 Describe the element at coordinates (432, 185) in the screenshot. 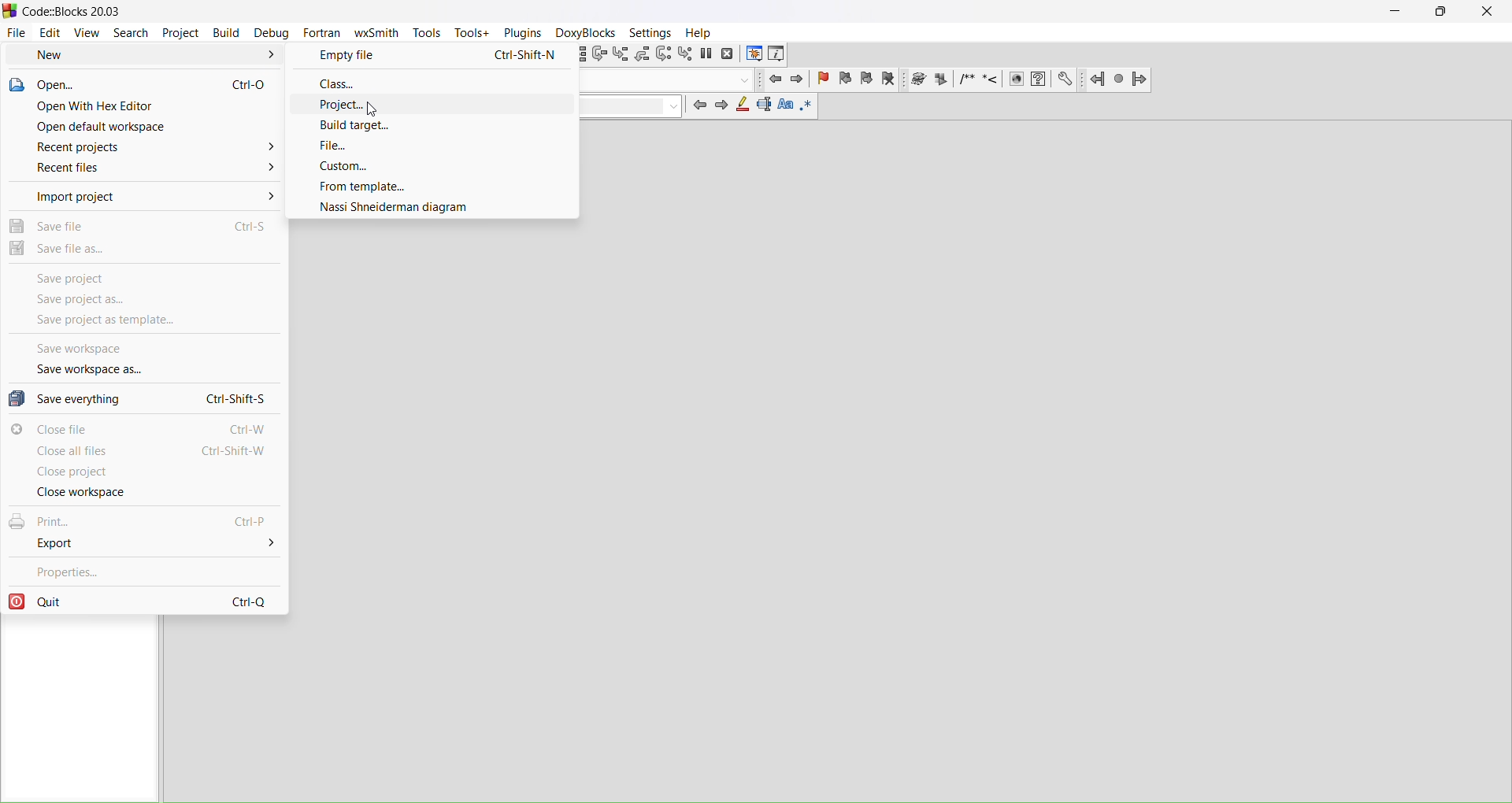

I see `from template` at that location.